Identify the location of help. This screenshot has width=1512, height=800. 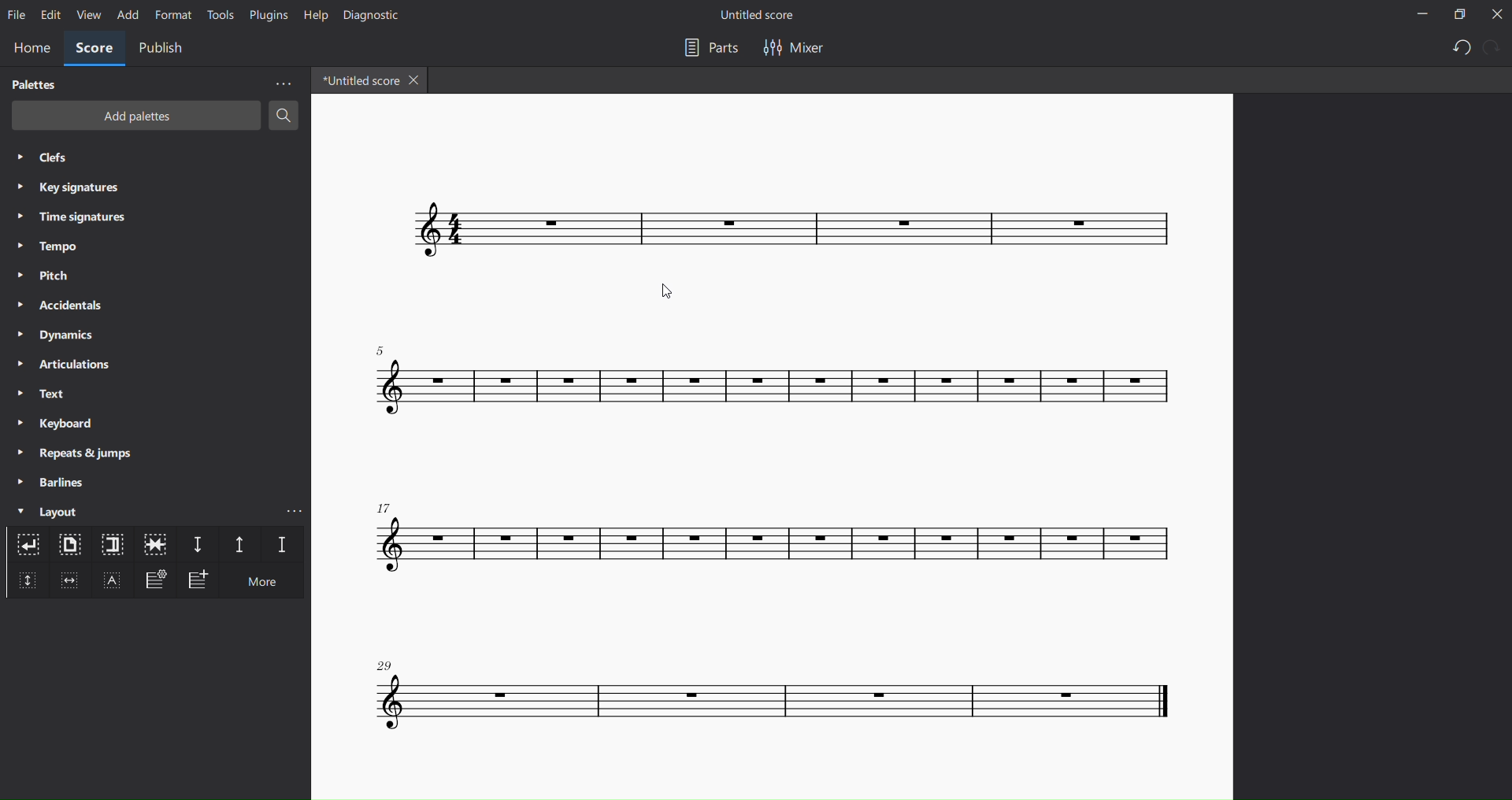
(313, 14).